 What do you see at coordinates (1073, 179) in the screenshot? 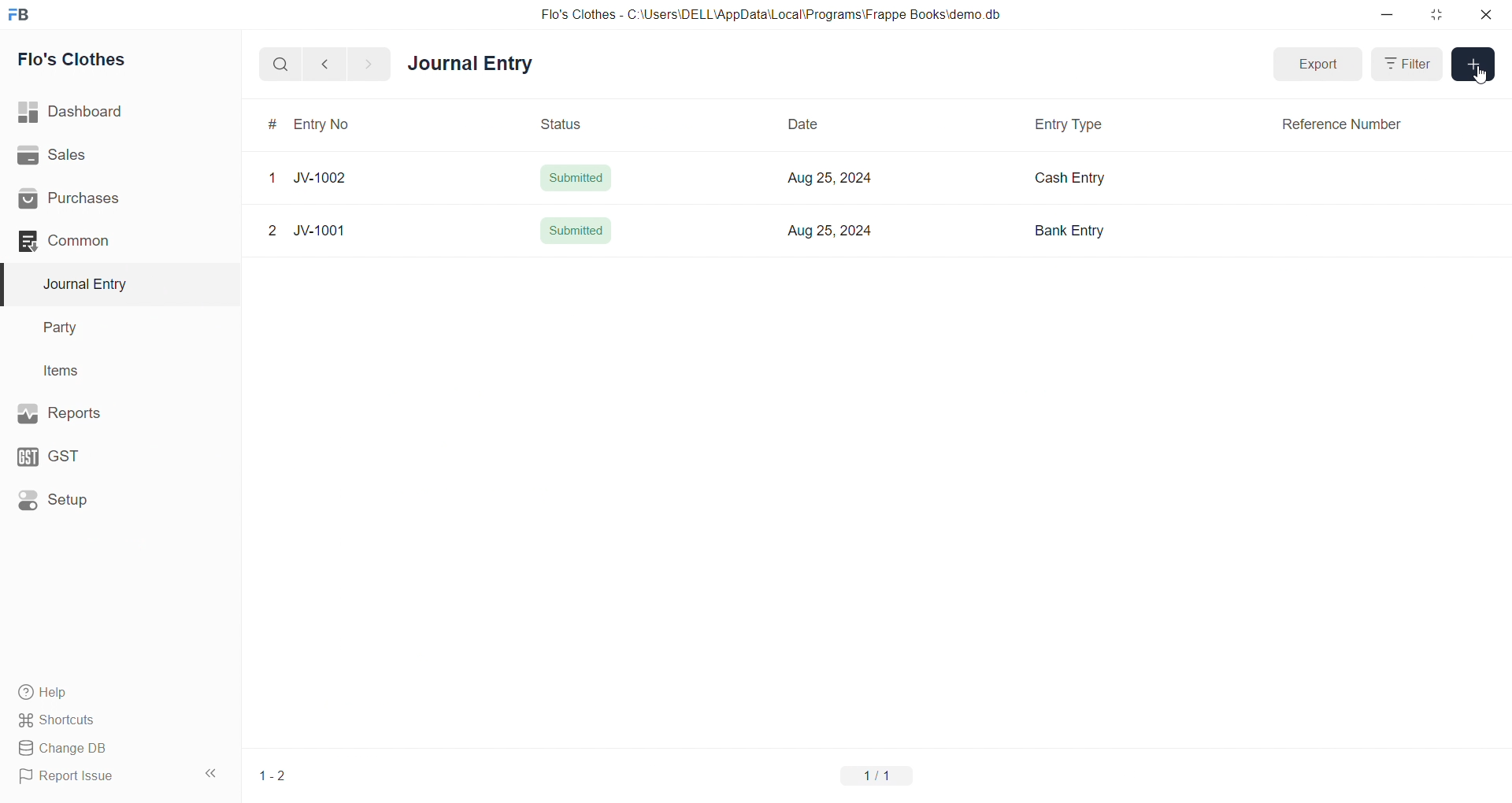
I see `Cash Entry` at bounding box center [1073, 179].